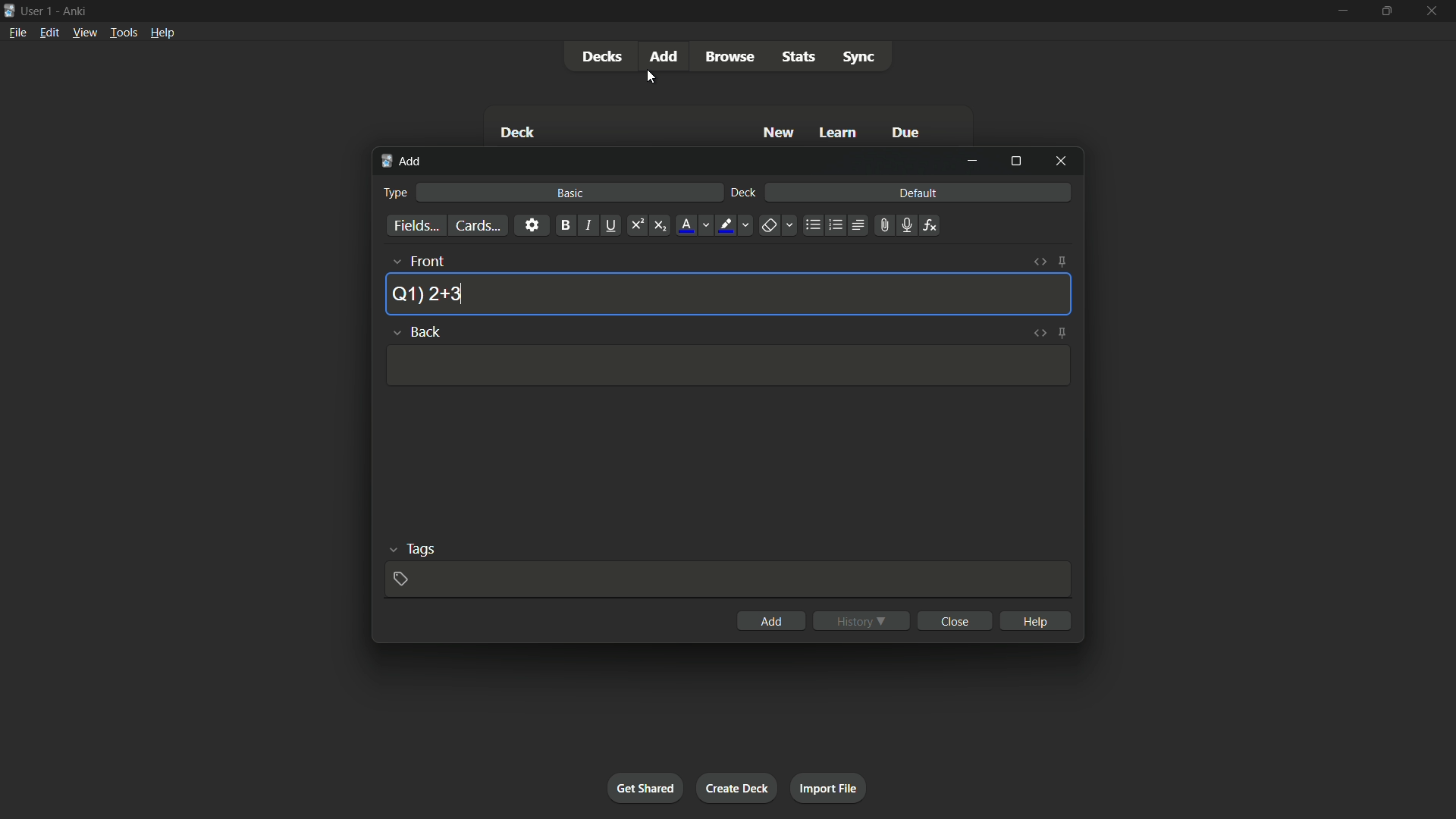 The image size is (1456, 819). What do you see at coordinates (1341, 10) in the screenshot?
I see `minimize` at bounding box center [1341, 10].